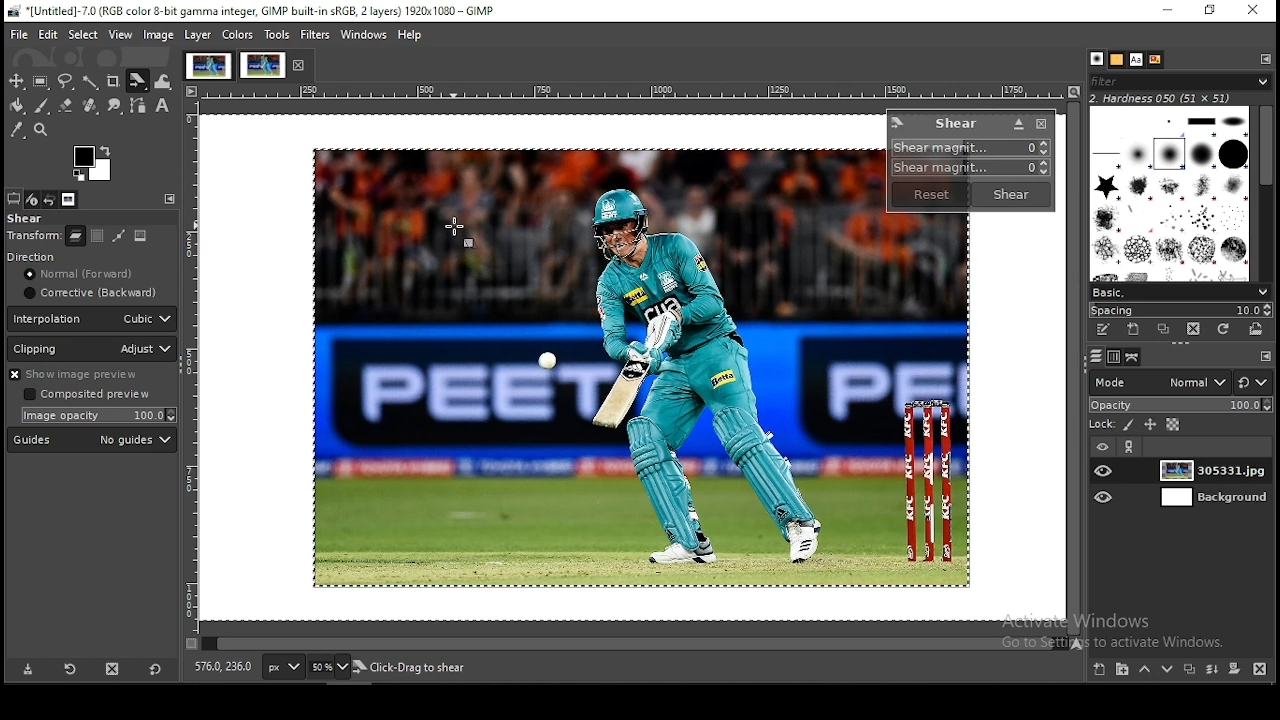 The image size is (1280, 720). I want to click on selection tool, so click(18, 80).